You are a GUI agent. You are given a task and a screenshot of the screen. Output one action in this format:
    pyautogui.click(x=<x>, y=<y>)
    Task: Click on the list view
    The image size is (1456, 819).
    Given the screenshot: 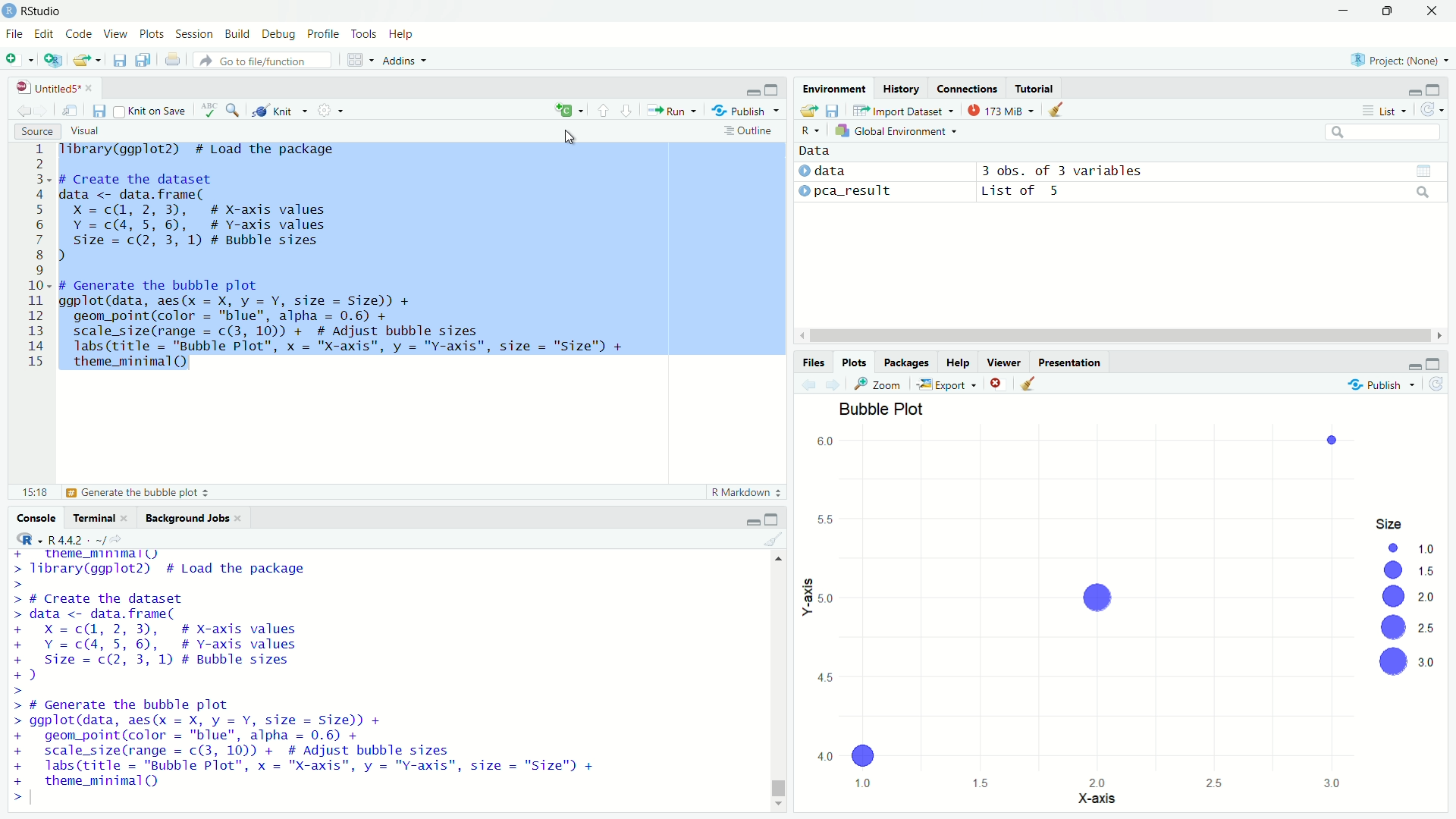 What is the action you would take?
    pyautogui.click(x=1385, y=110)
    